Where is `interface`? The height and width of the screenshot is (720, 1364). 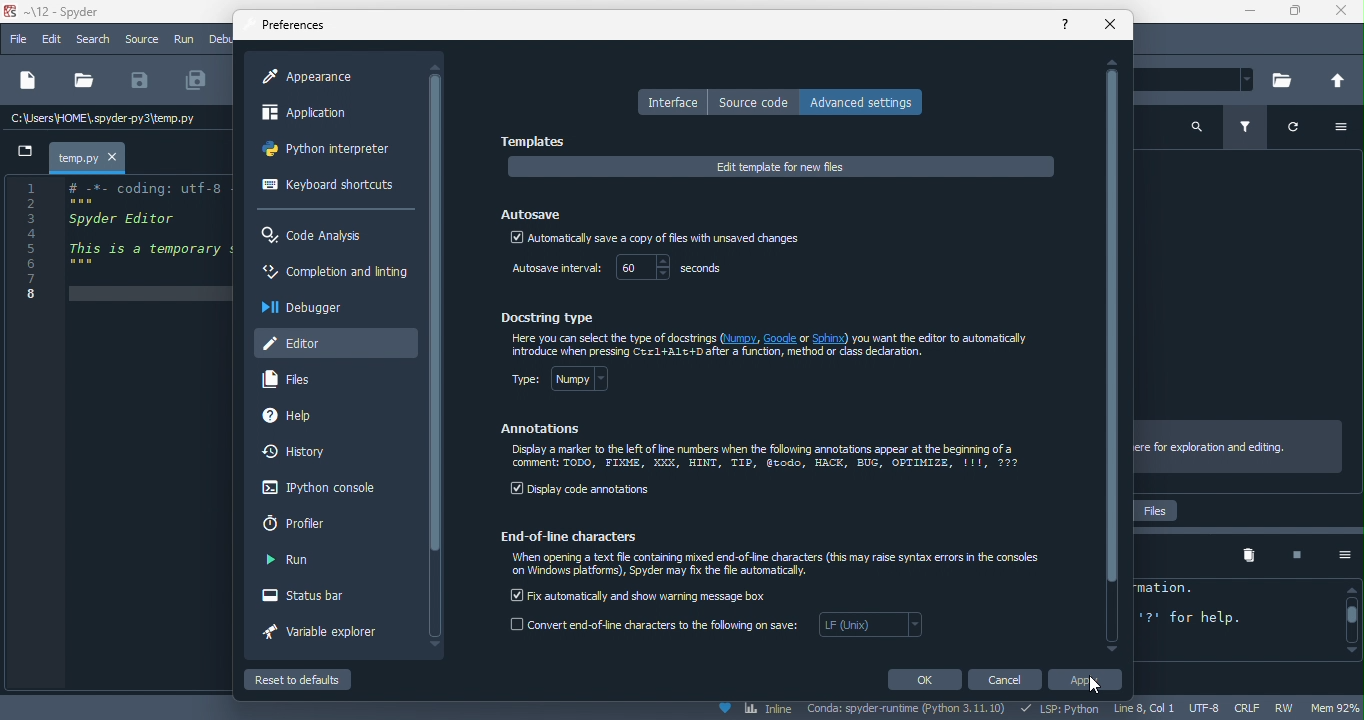 interface is located at coordinates (671, 102).